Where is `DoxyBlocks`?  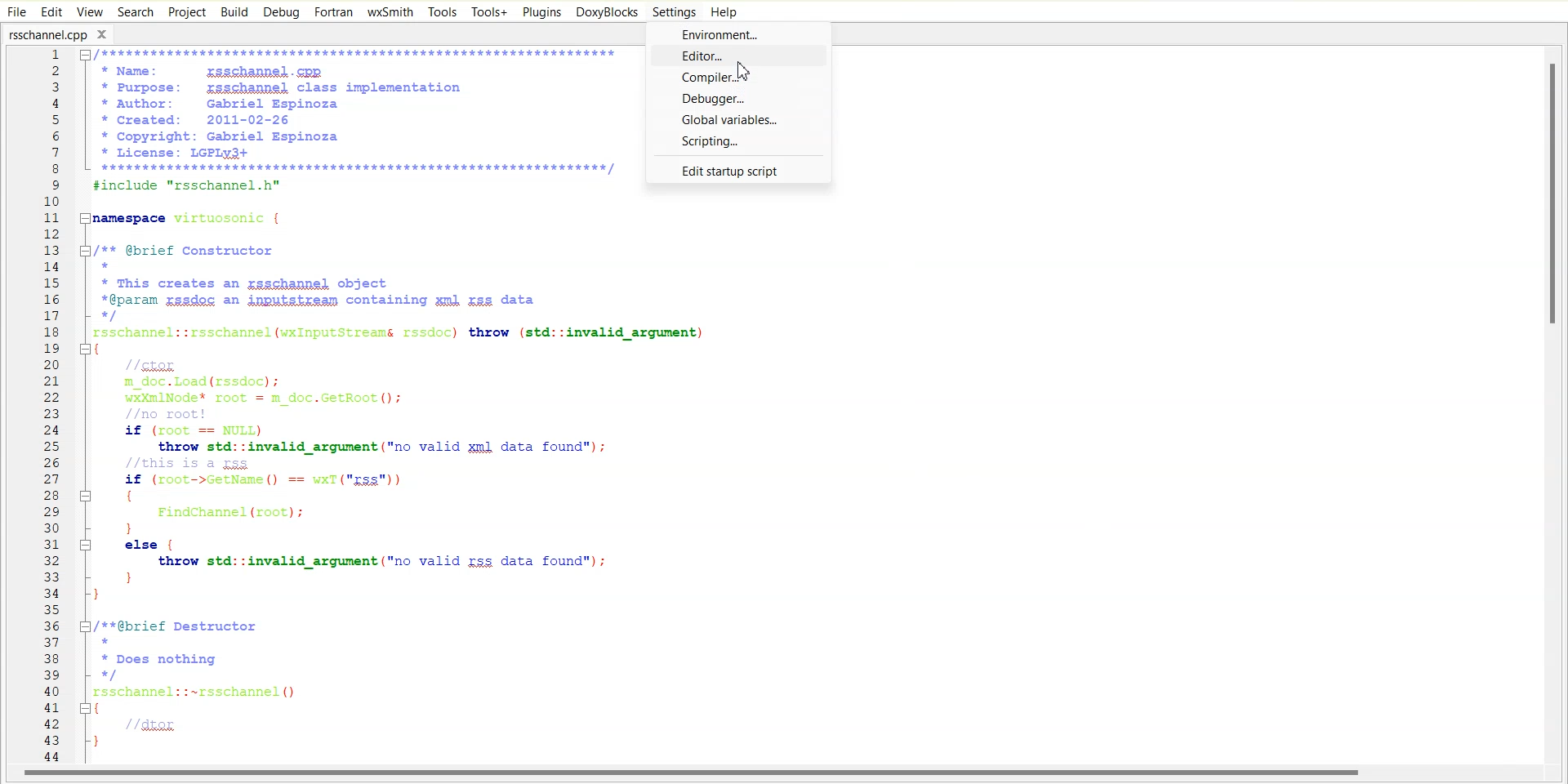
DoxyBlocks is located at coordinates (606, 12).